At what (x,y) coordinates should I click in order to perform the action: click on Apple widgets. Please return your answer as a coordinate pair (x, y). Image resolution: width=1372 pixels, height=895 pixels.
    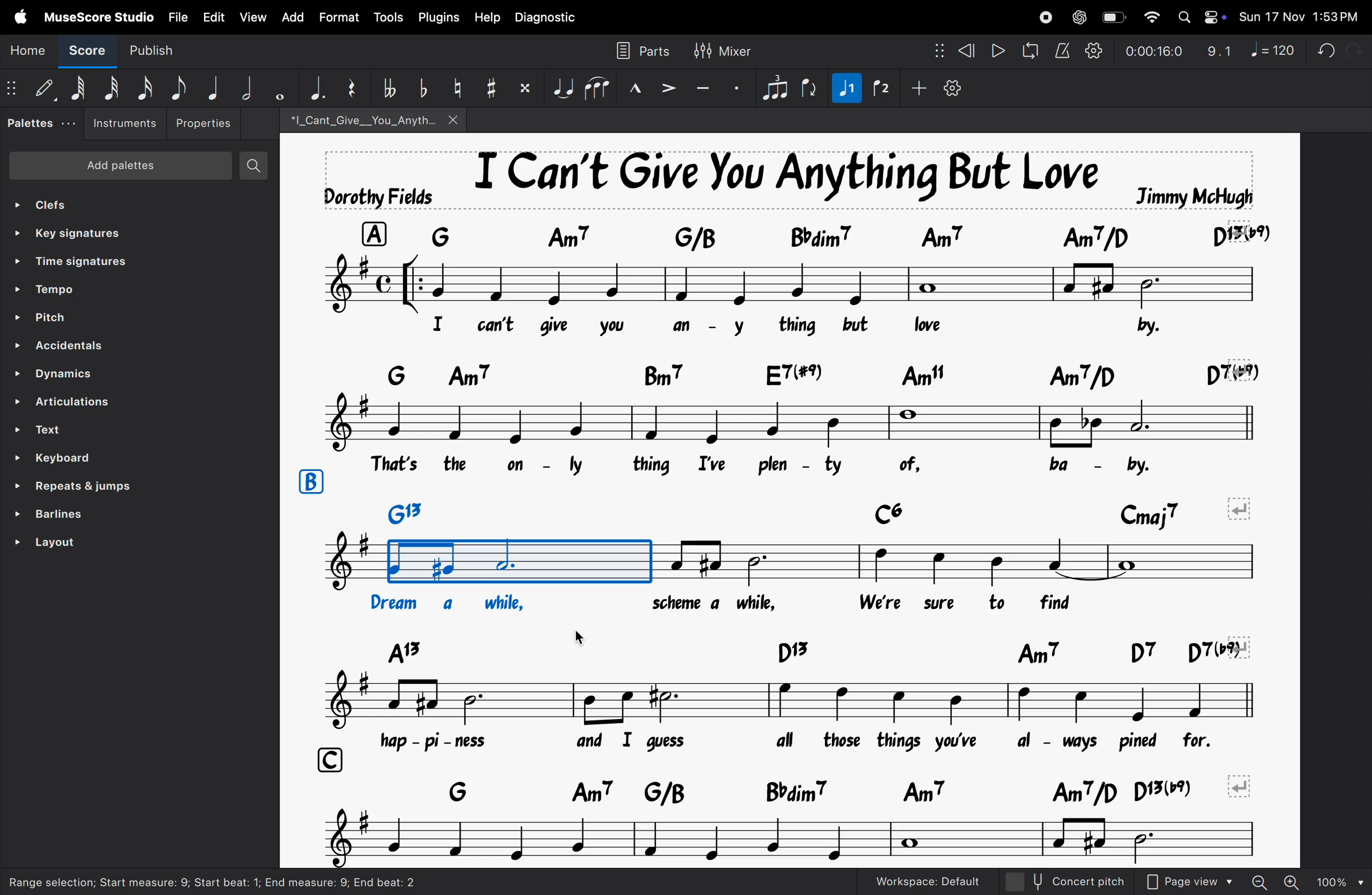
    Looking at the image, I should click on (1201, 17).